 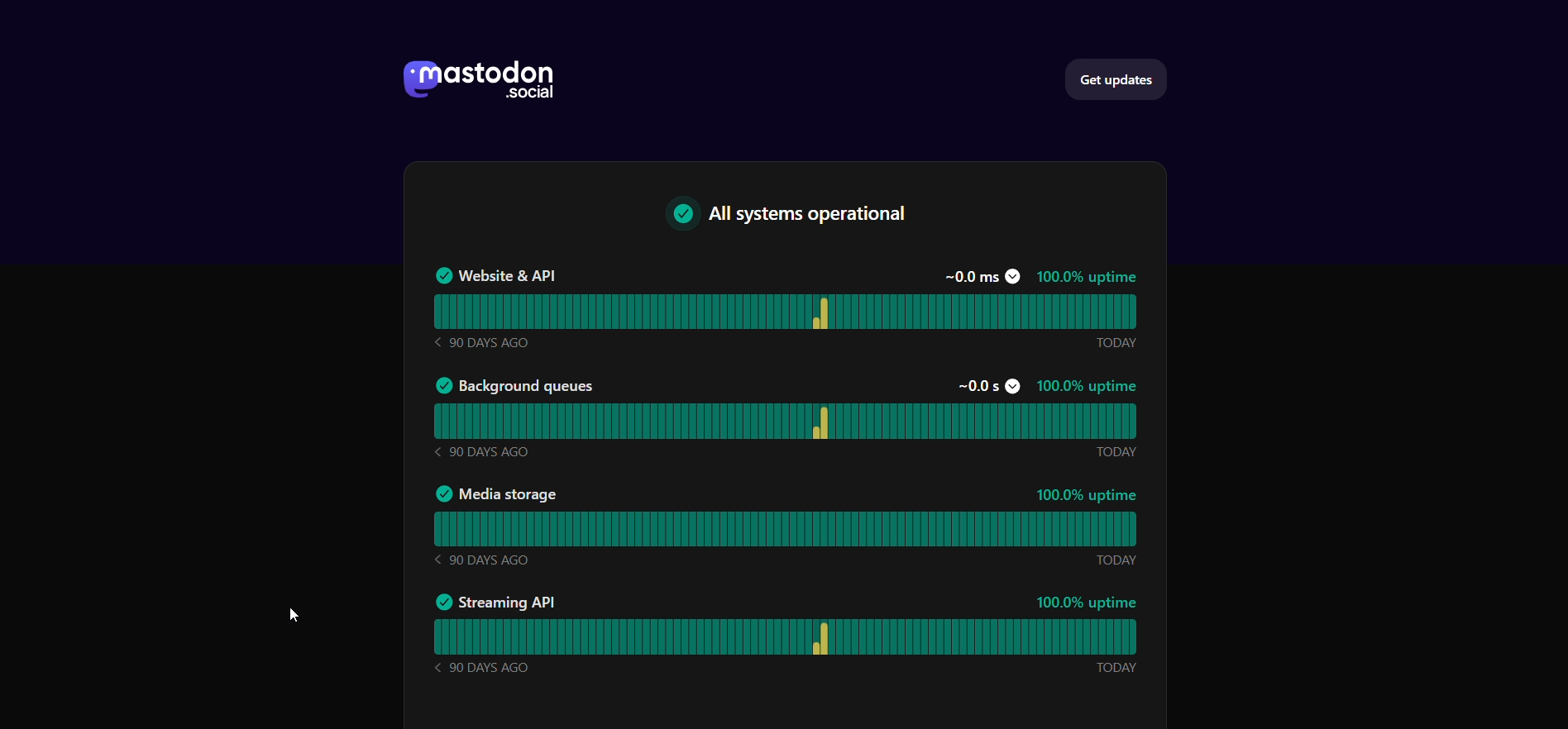 What do you see at coordinates (794, 636) in the screenshot?
I see `streaming API status` at bounding box center [794, 636].